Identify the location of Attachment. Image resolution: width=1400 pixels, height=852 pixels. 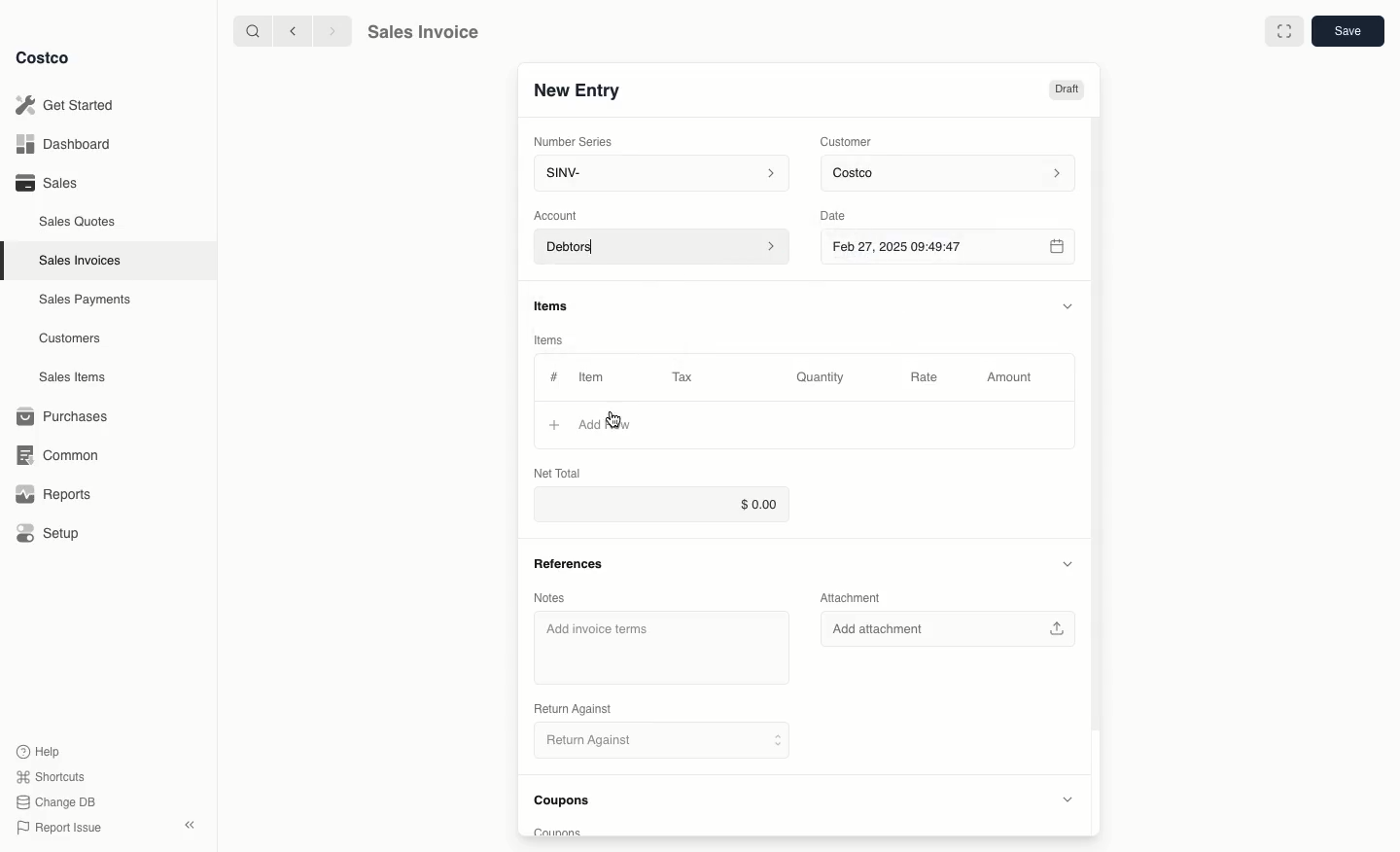
(857, 598).